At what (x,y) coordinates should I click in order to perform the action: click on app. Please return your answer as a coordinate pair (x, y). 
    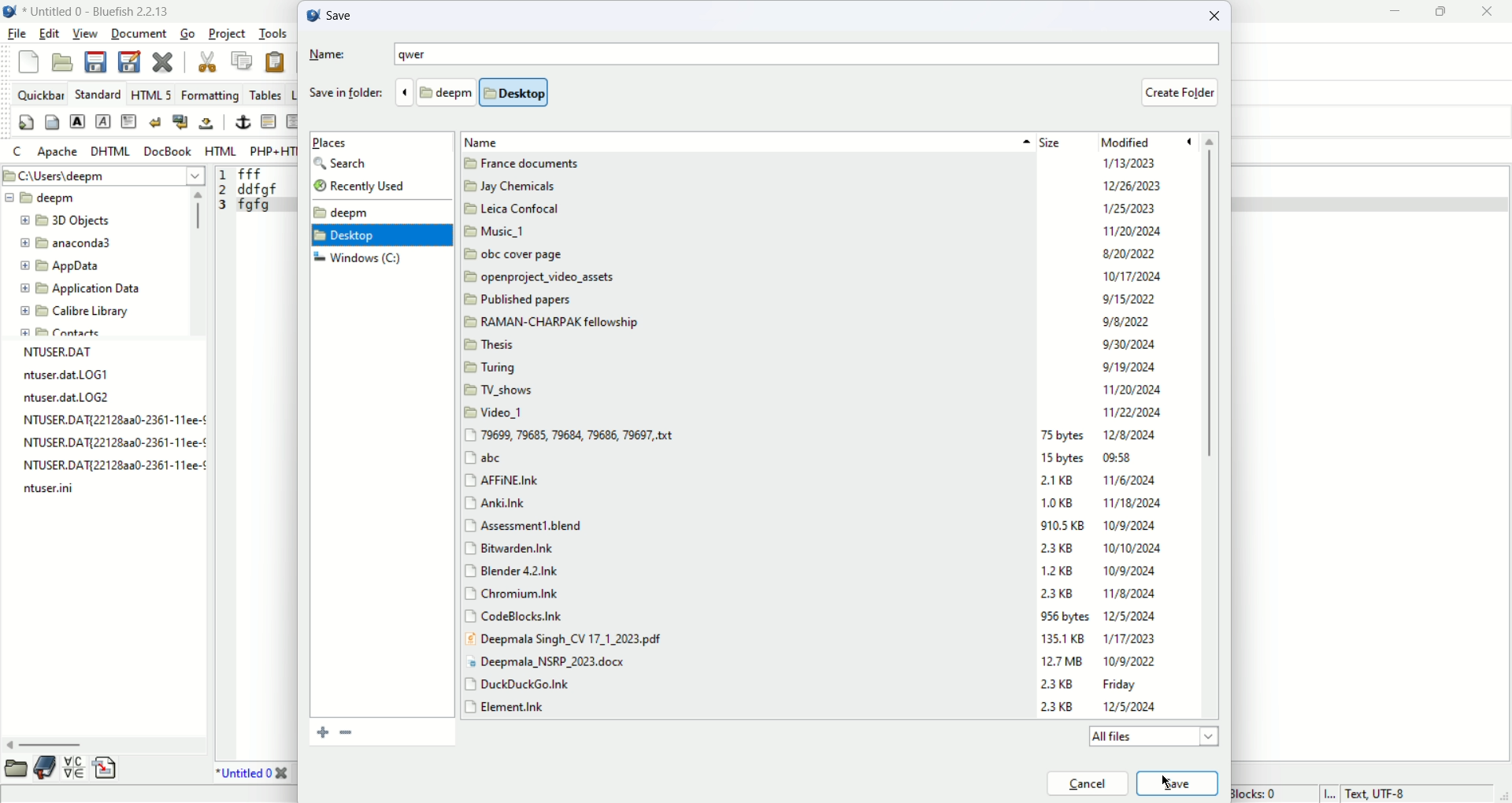
    Looking at the image, I should click on (61, 267).